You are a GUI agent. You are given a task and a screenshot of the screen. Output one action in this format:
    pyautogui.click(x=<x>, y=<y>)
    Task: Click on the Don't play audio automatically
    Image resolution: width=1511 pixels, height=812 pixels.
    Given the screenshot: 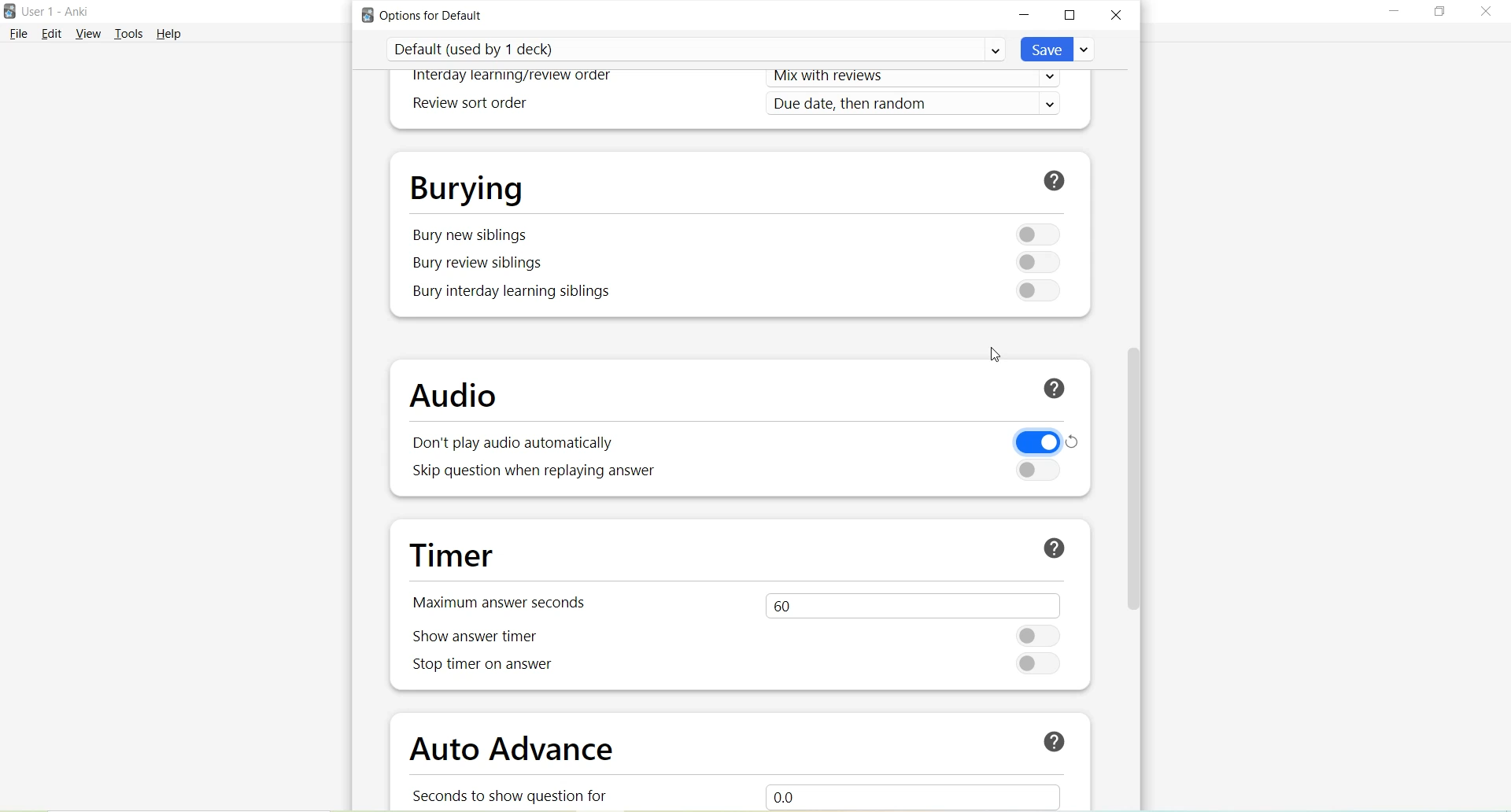 What is the action you would take?
    pyautogui.click(x=508, y=445)
    